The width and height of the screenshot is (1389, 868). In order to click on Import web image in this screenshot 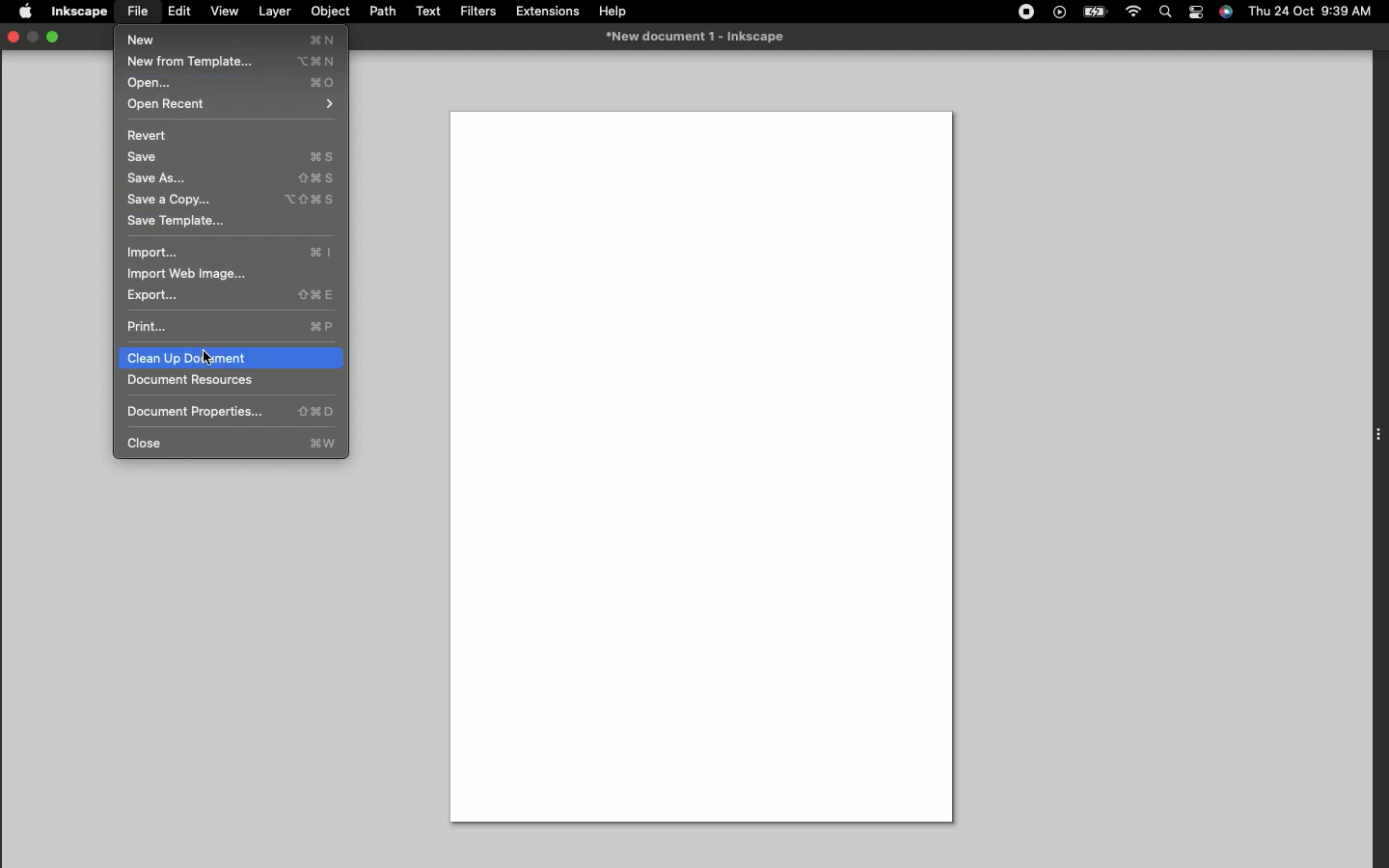, I will do `click(188, 275)`.